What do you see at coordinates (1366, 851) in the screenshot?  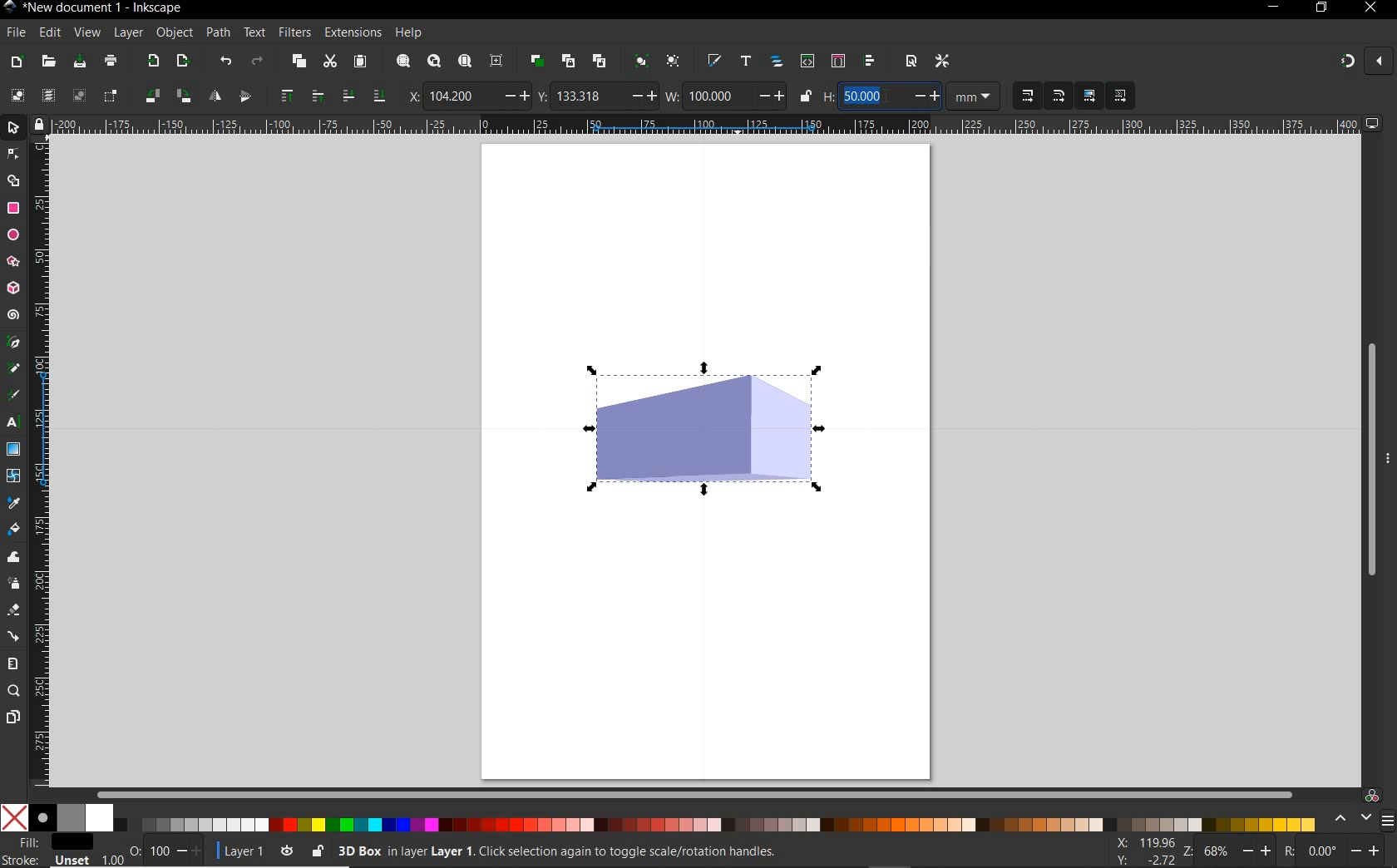 I see `increase/decrease` at bounding box center [1366, 851].